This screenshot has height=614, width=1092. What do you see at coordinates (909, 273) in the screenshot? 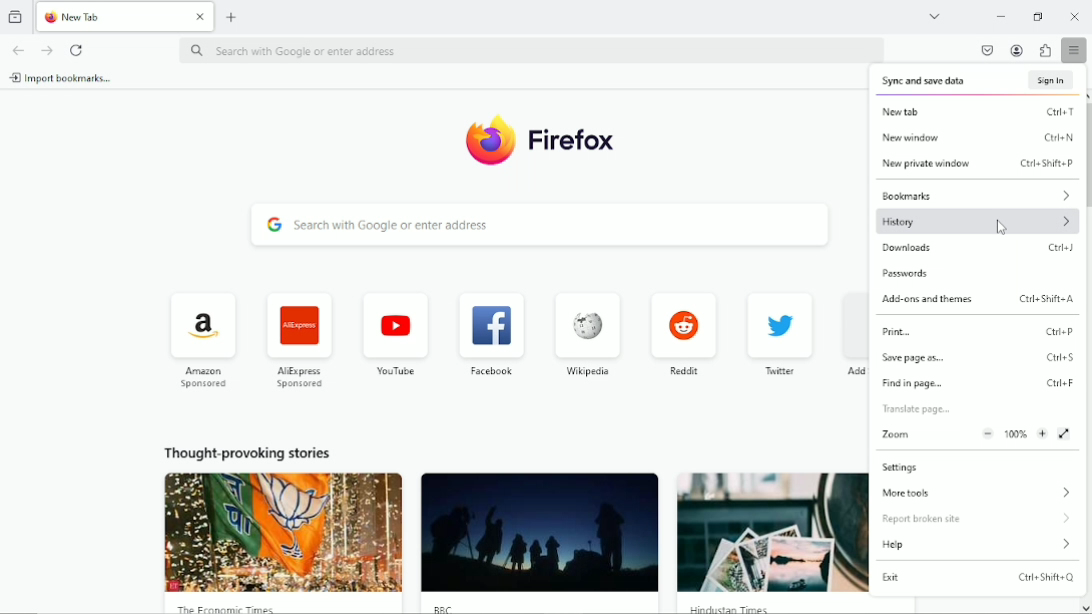
I see `passwords` at bounding box center [909, 273].